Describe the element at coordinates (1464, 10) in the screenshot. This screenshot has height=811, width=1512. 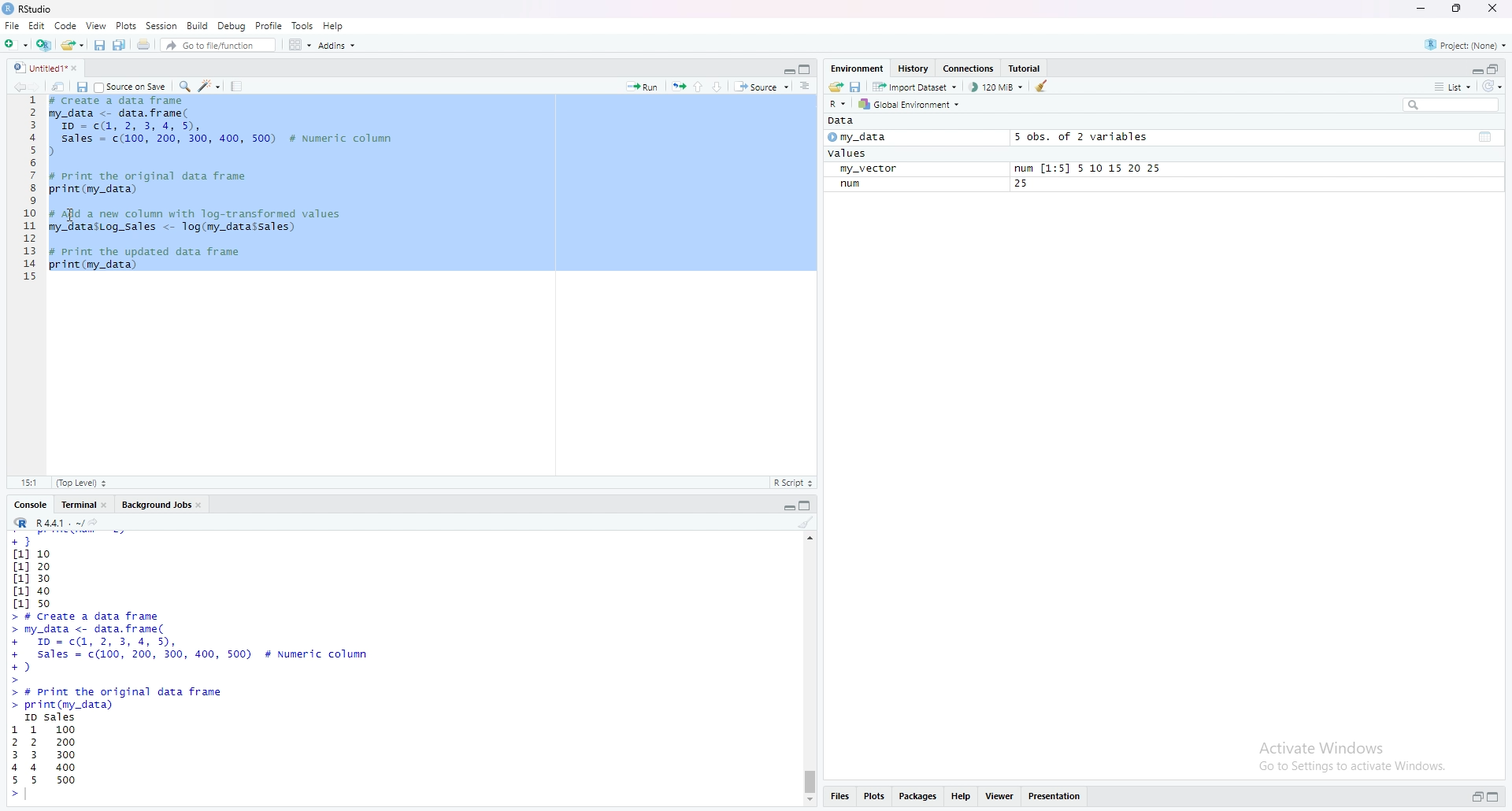
I see `maximize` at that location.